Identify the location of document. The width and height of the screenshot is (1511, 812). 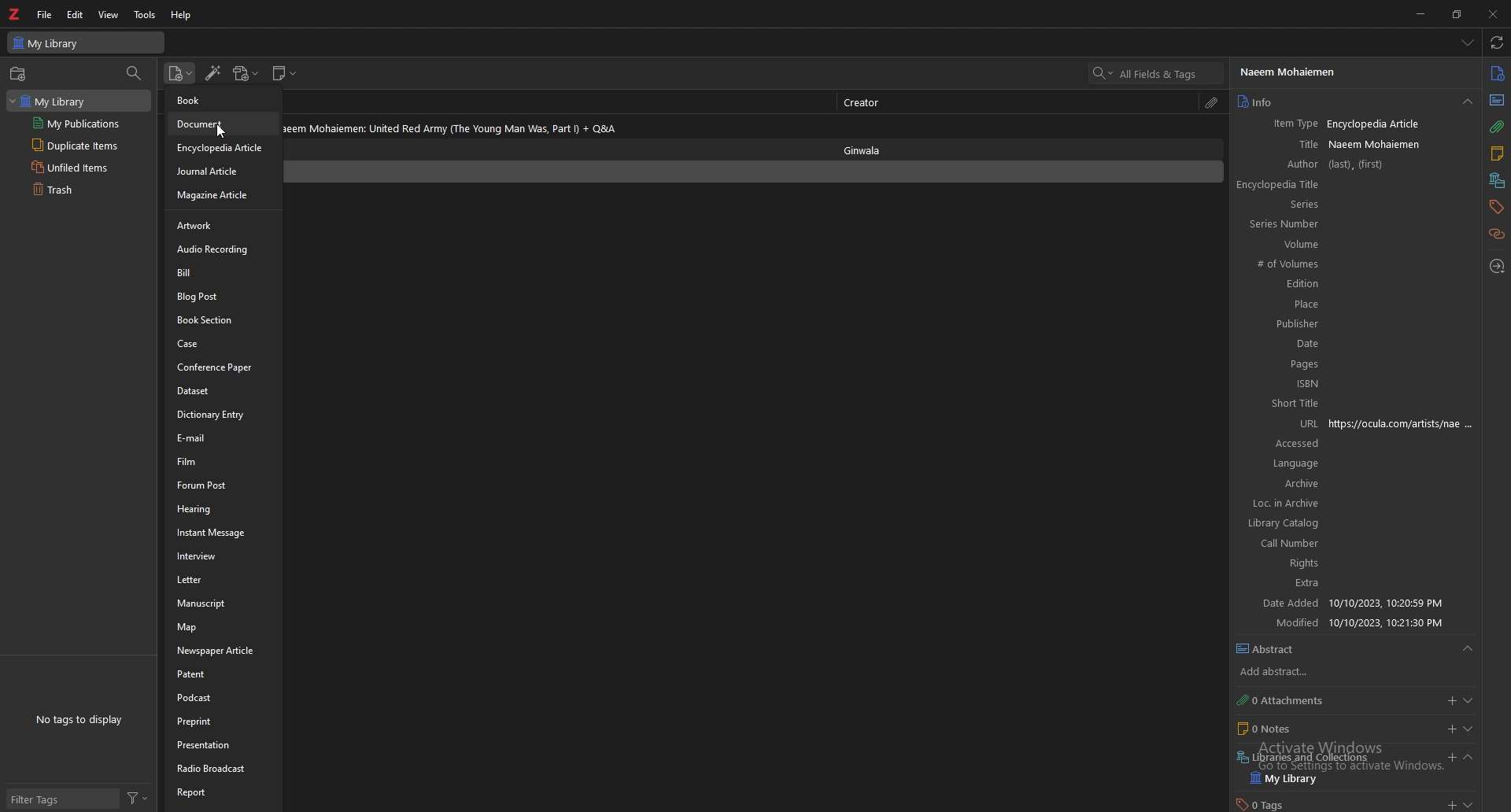
(224, 124).